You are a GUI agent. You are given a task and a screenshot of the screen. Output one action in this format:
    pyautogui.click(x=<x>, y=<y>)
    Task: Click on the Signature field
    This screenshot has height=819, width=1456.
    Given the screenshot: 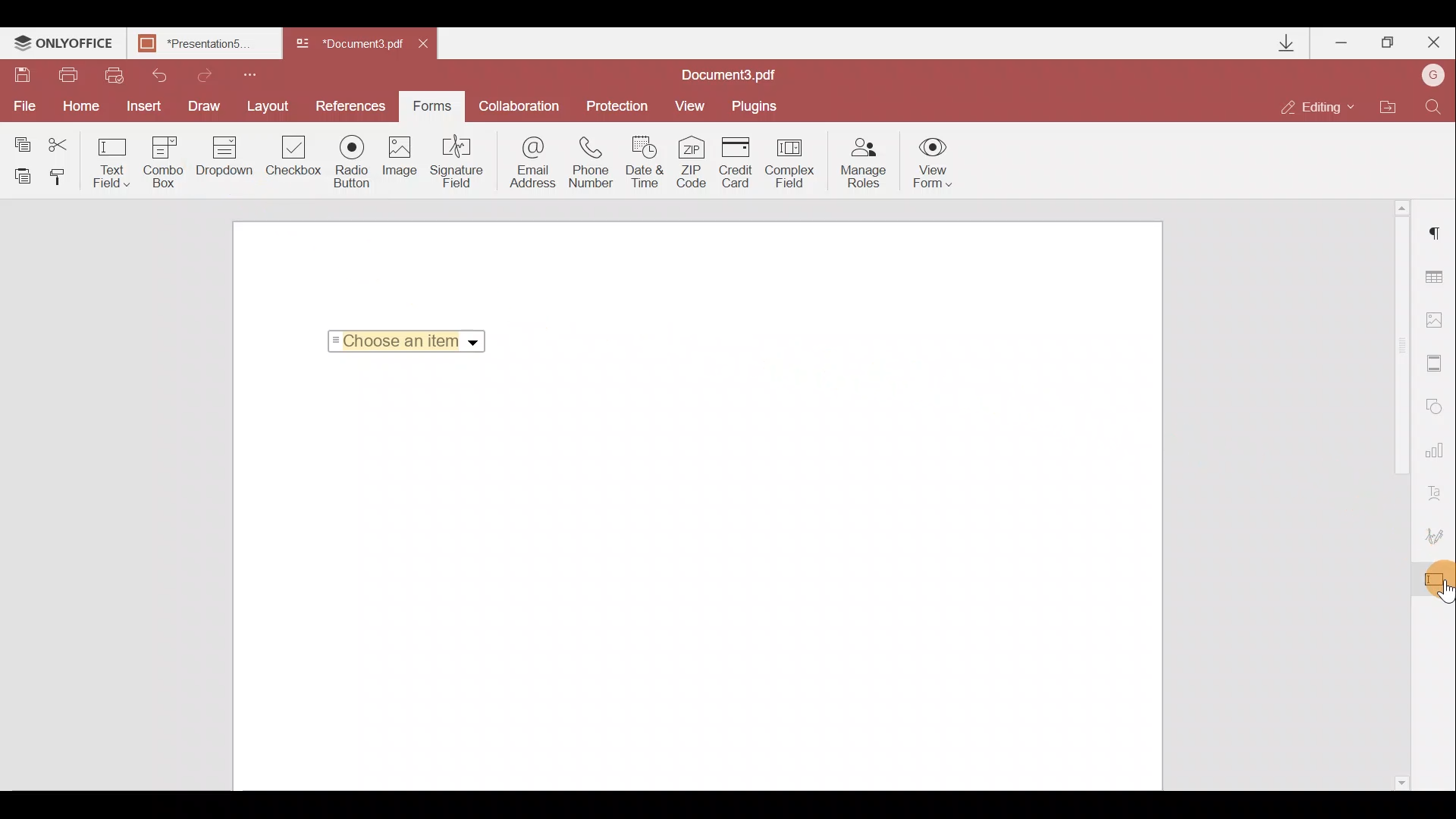 What is the action you would take?
    pyautogui.click(x=459, y=165)
    